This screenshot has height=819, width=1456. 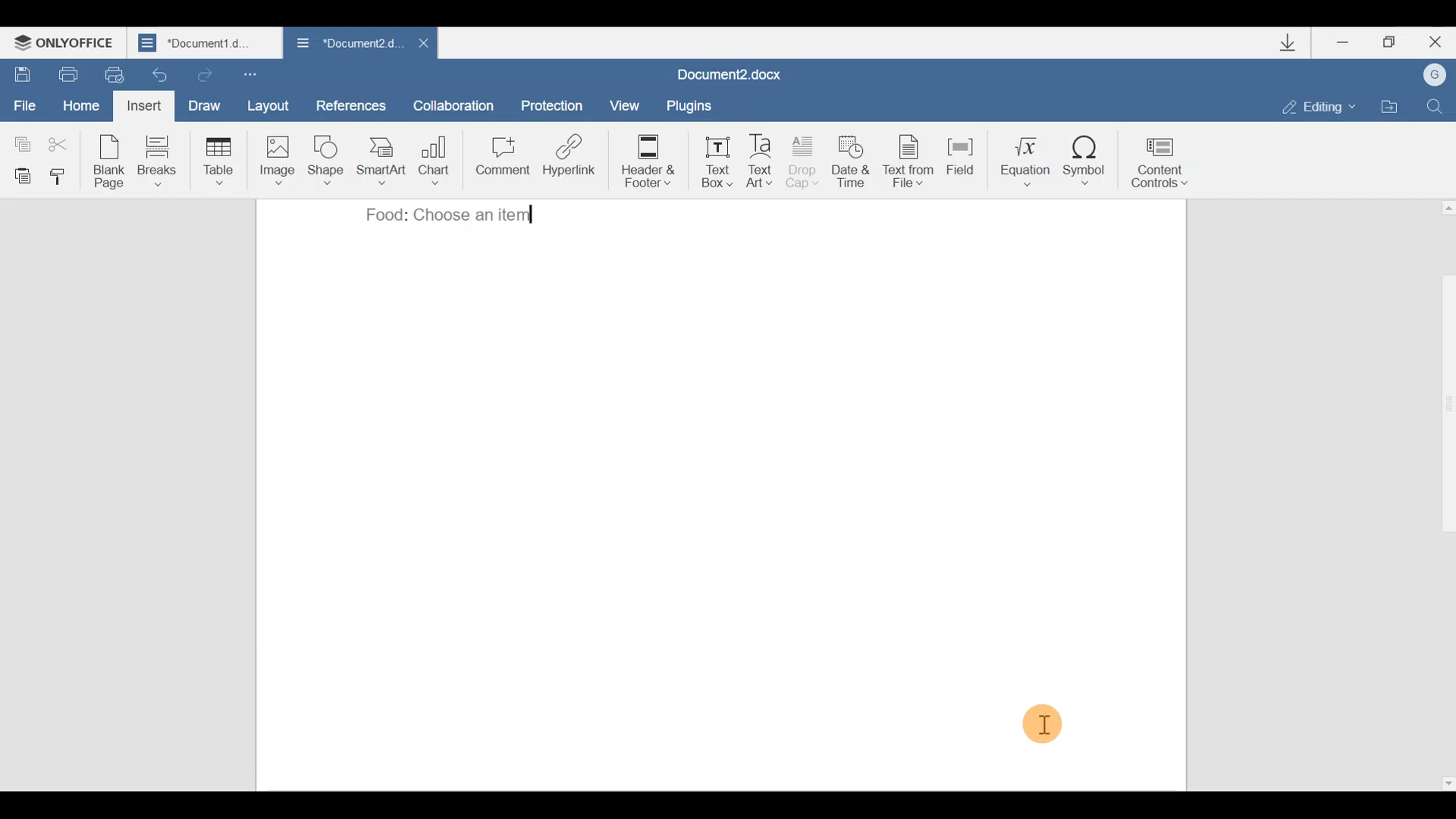 What do you see at coordinates (19, 140) in the screenshot?
I see `Copy` at bounding box center [19, 140].